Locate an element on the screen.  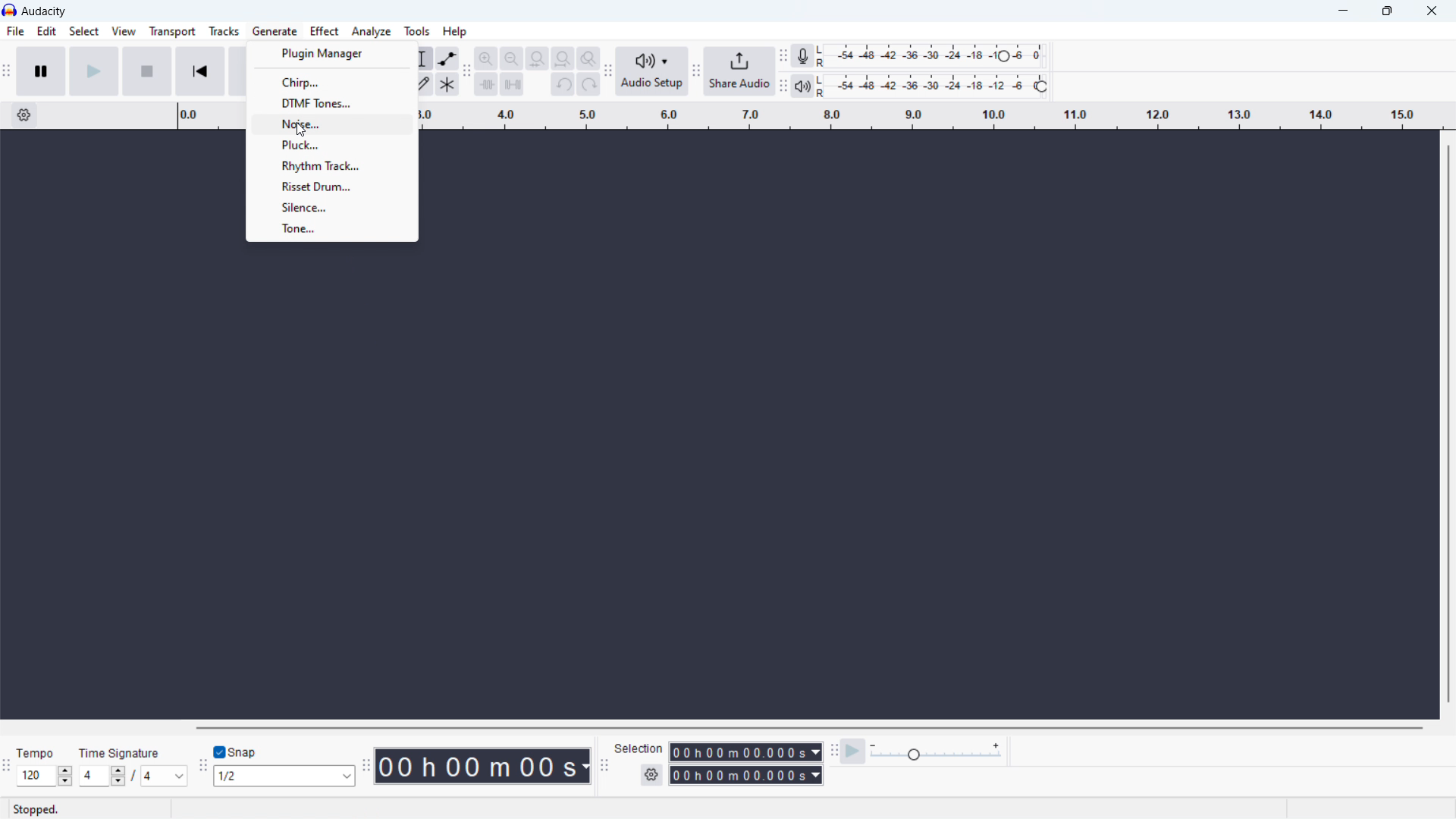
play at speed is located at coordinates (852, 751).